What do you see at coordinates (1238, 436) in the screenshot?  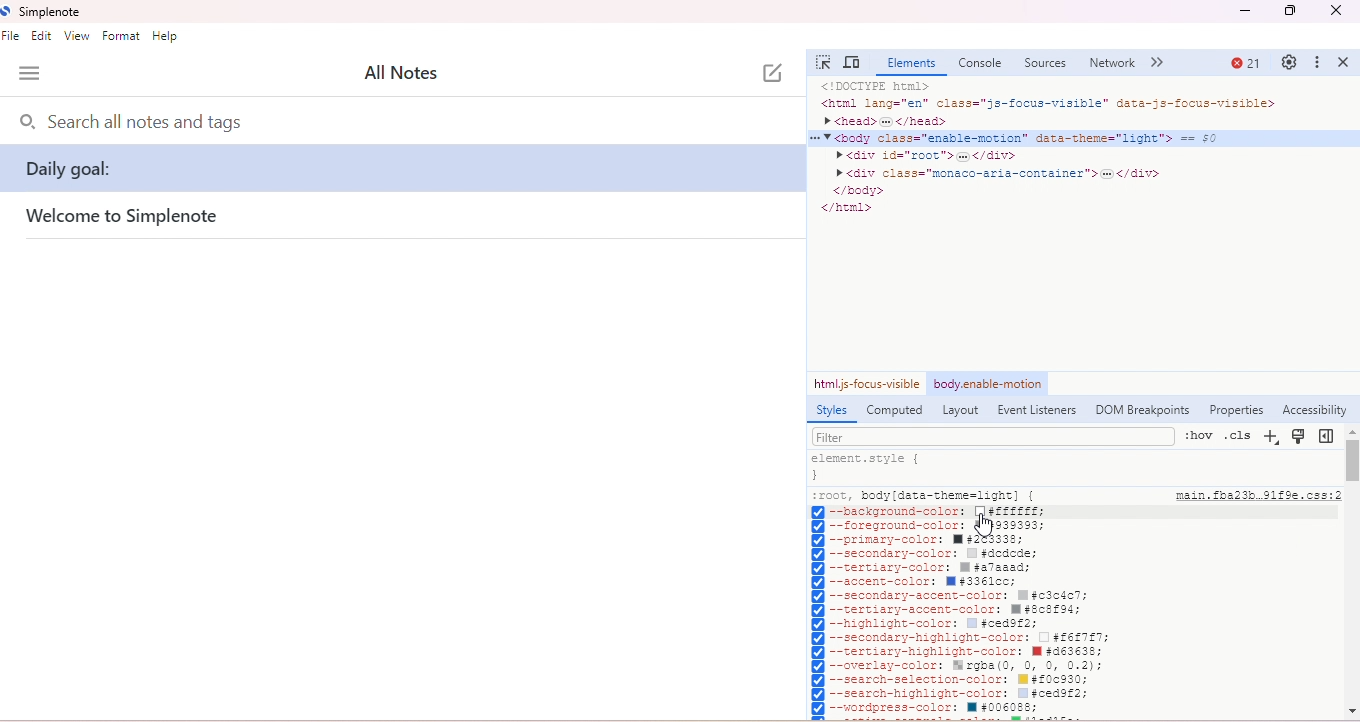 I see `.cls` at bounding box center [1238, 436].